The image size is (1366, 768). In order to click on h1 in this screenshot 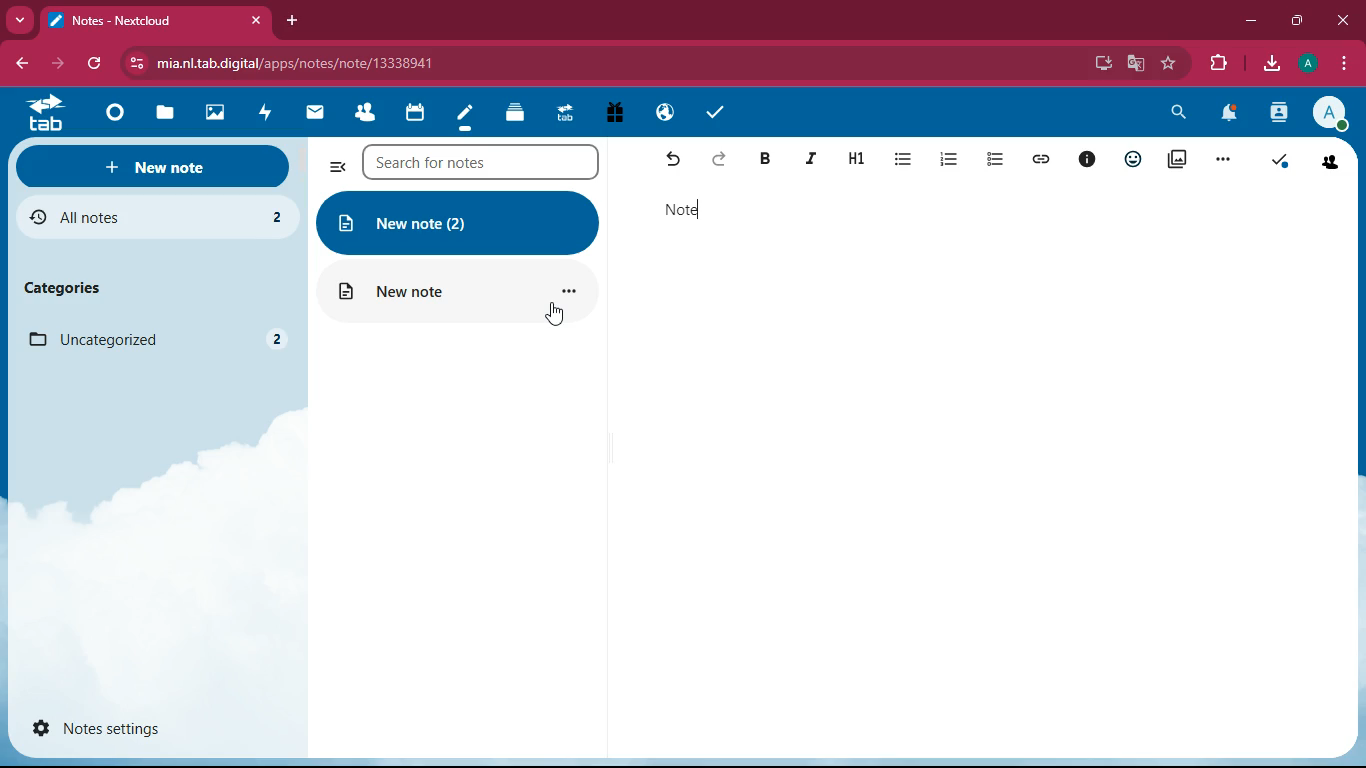, I will do `click(860, 157)`.